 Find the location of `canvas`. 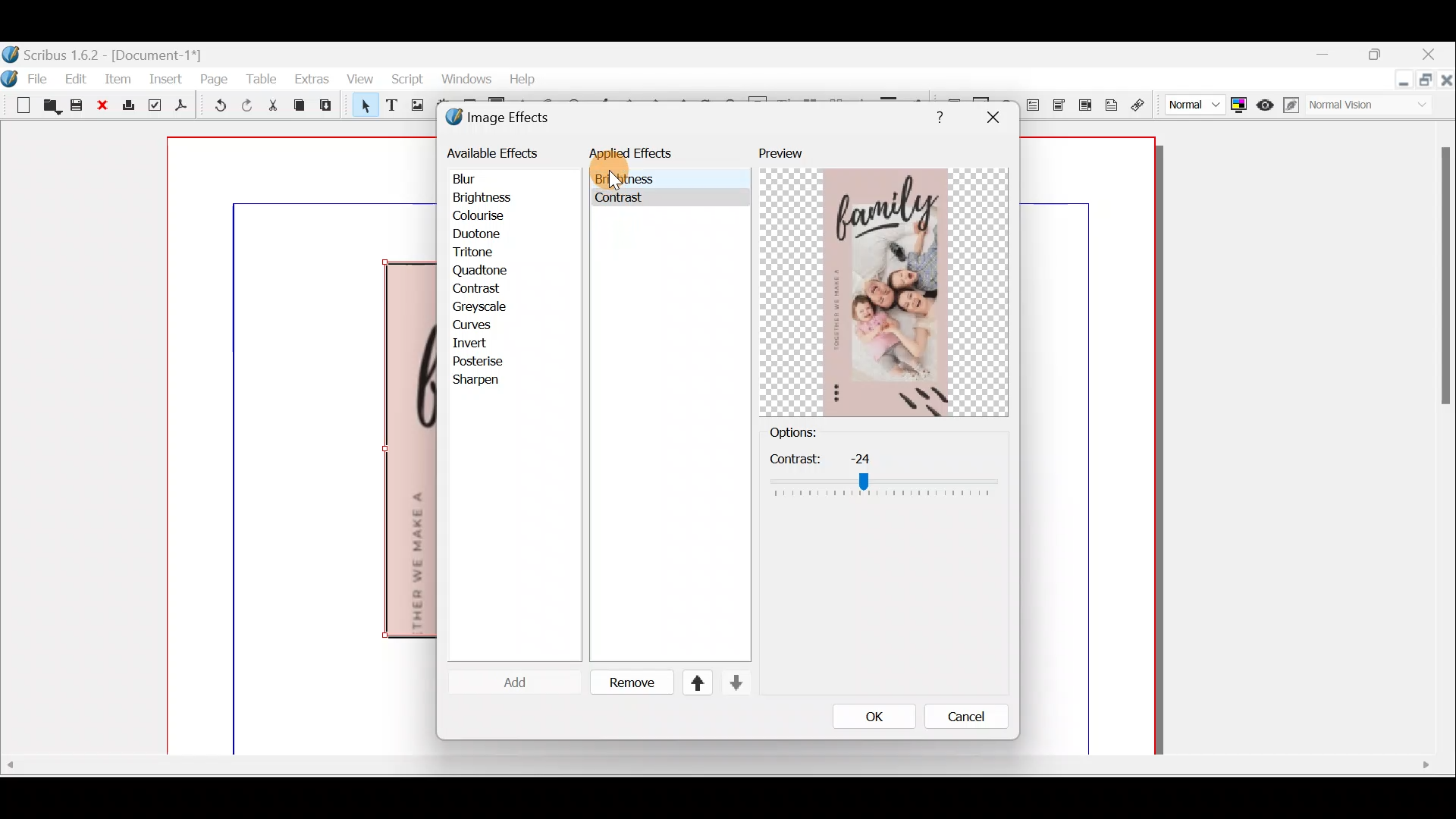

canvas is located at coordinates (1089, 447).